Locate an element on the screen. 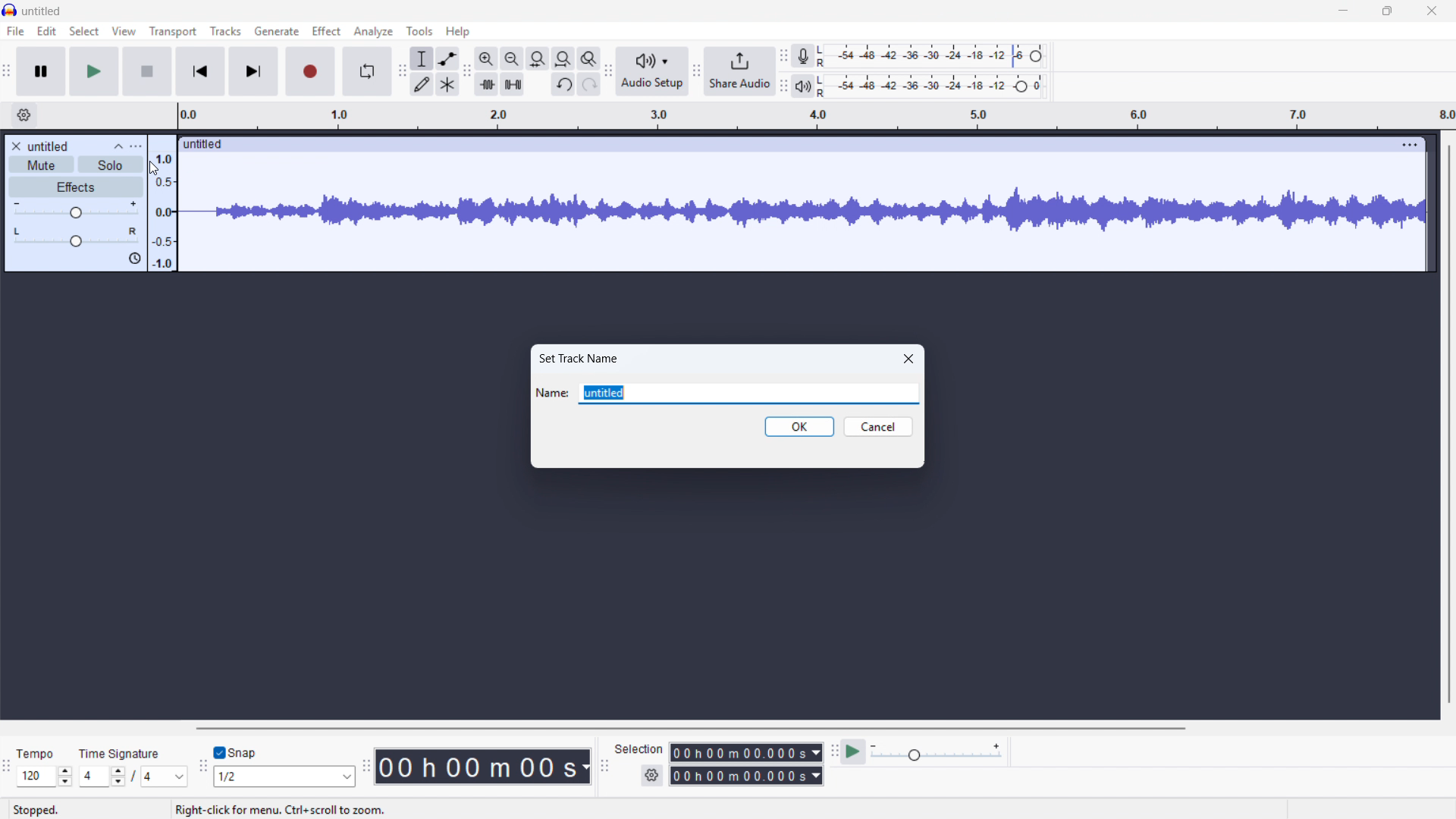  mute  is located at coordinates (41, 165).